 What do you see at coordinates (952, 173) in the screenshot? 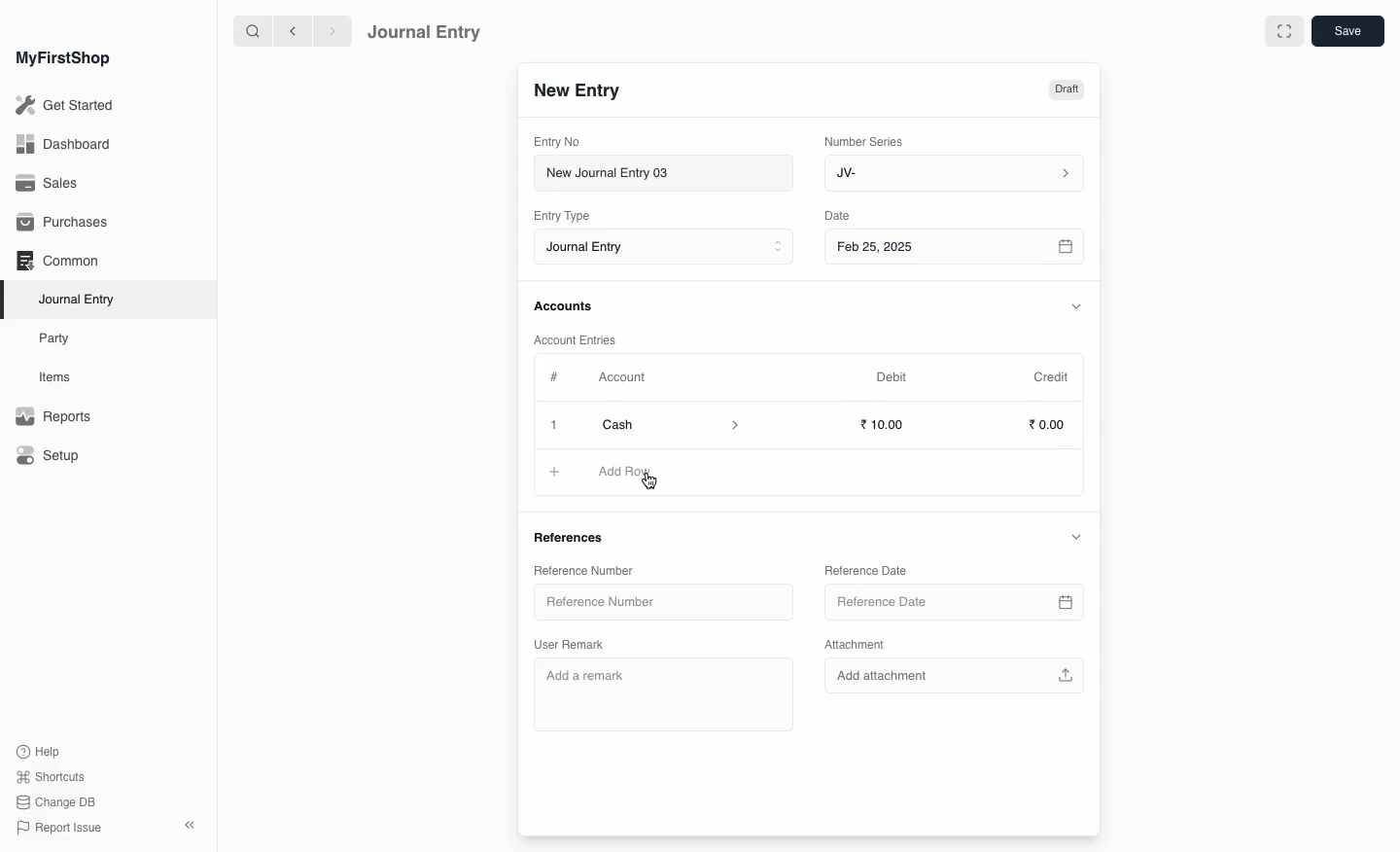
I see `JV-` at bounding box center [952, 173].